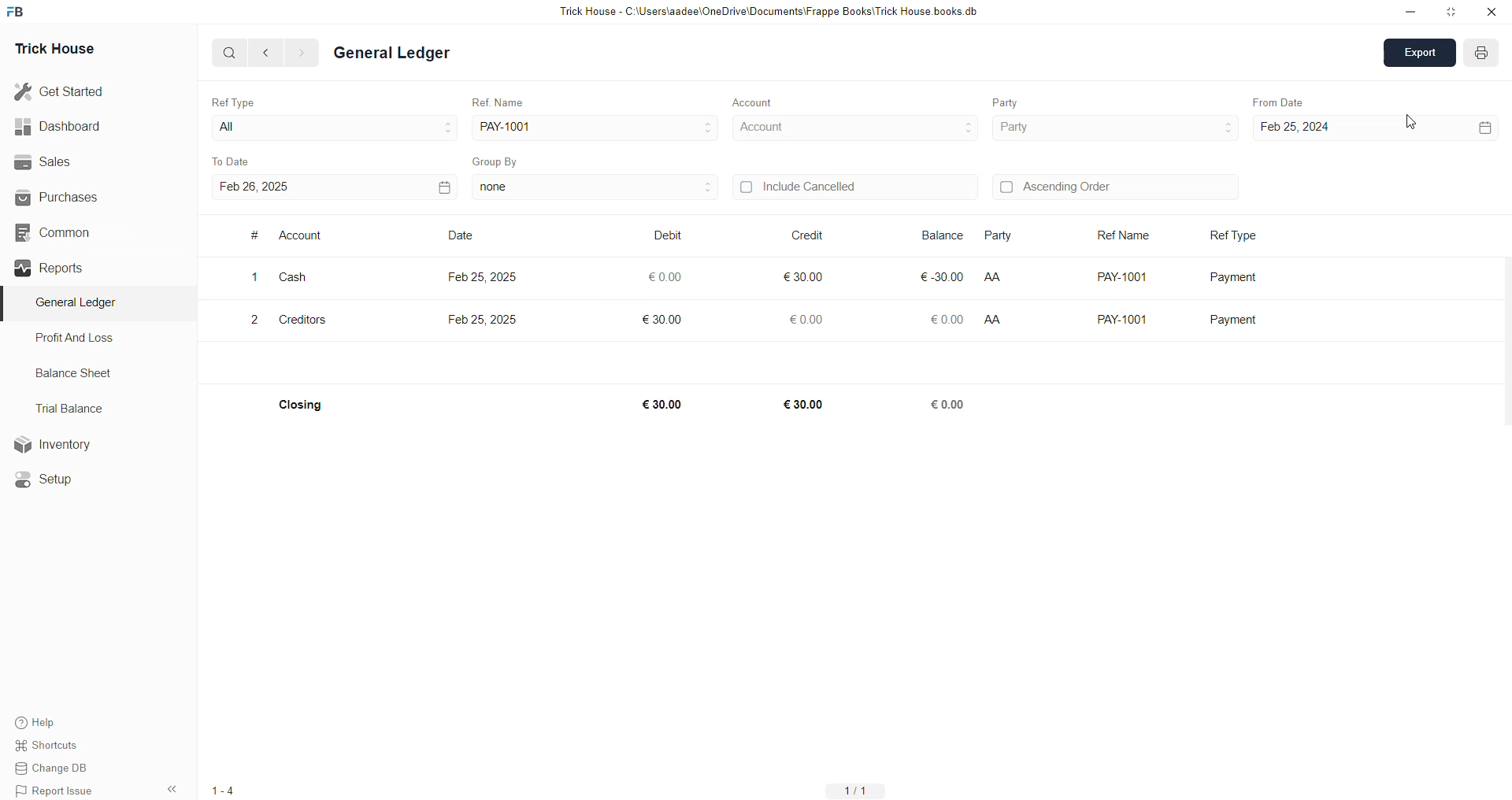 Image resolution: width=1512 pixels, height=800 pixels. Describe the element at coordinates (510, 124) in the screenshot. I see `PAY-1001` at that location.